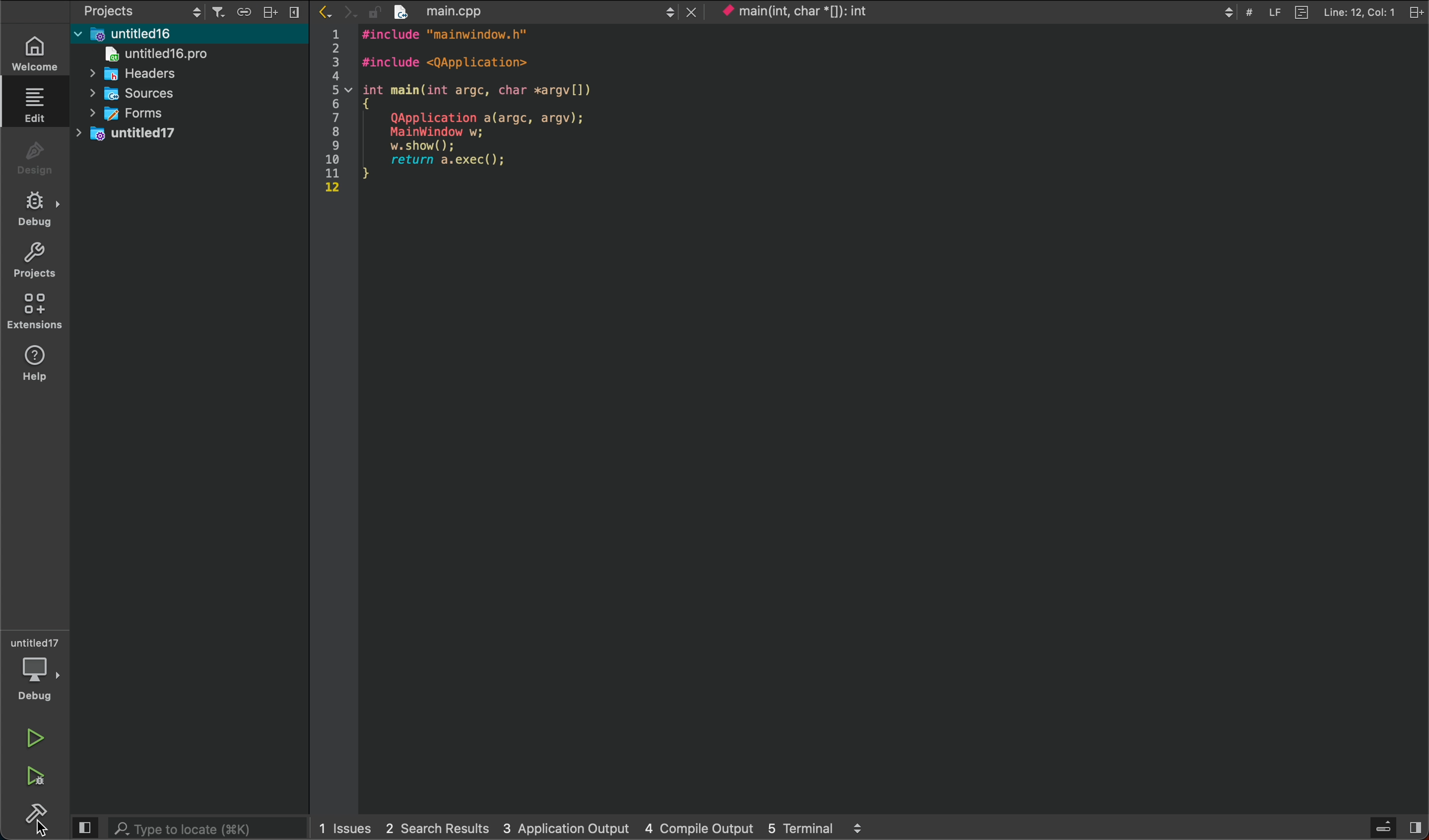  I want to click on run and debug, so click(32, 777).